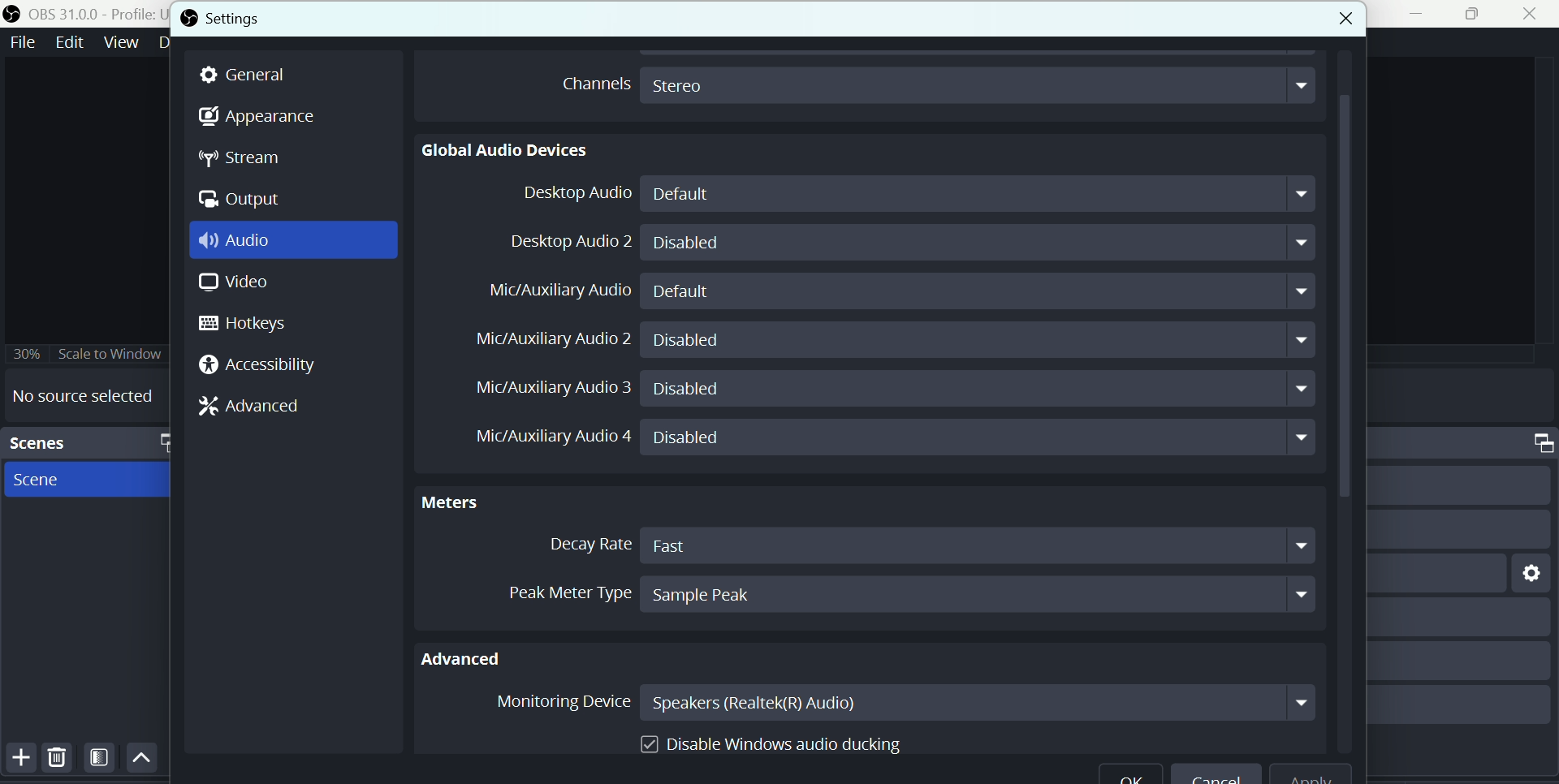 The width and height of the screenshot is (1559, 784). What do you see at coordinates (243, 200) in the screenshot?
I see `Output` at bounding box center [243, 200].